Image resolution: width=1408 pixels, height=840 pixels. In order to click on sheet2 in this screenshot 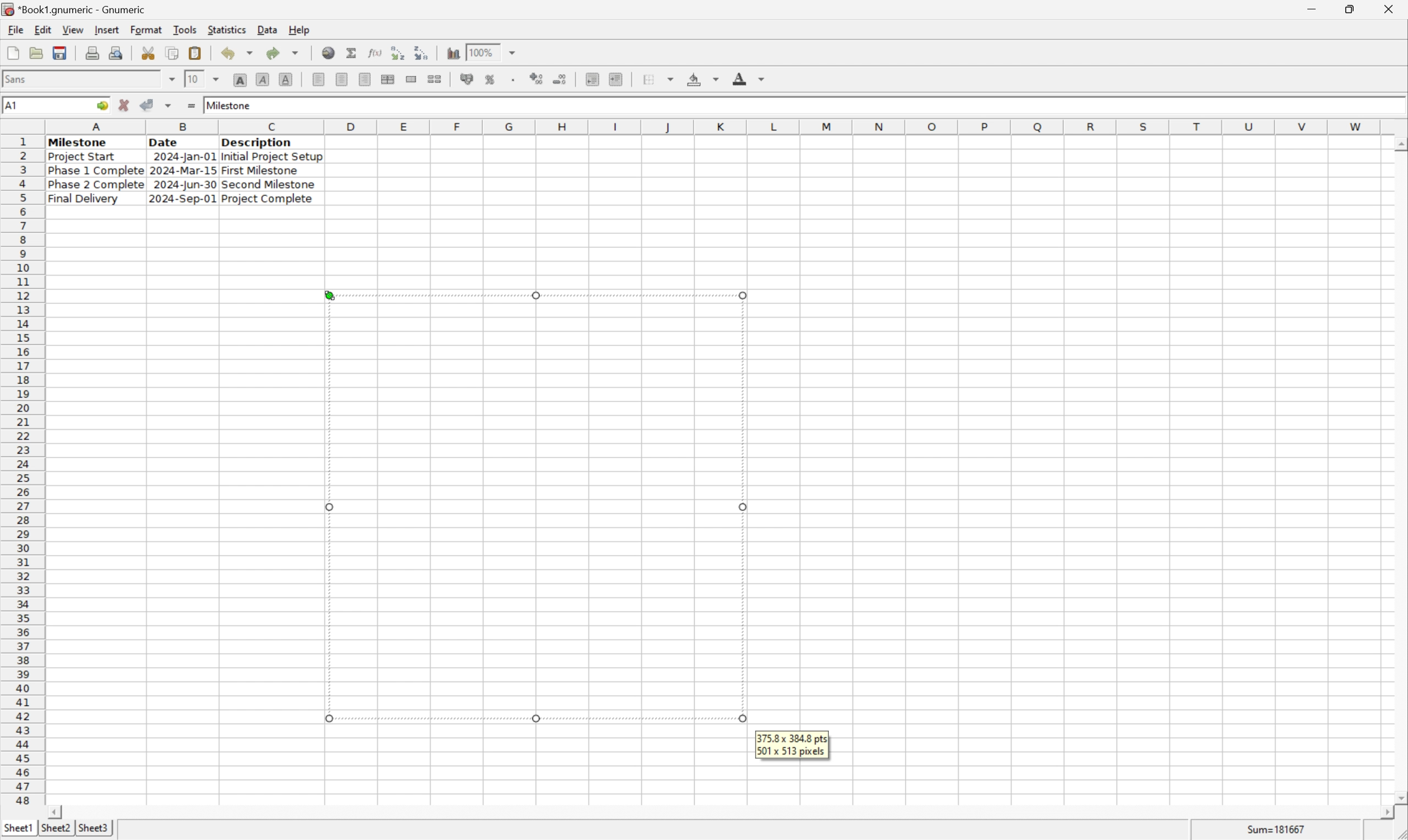, I will do `click(53, 830)`.